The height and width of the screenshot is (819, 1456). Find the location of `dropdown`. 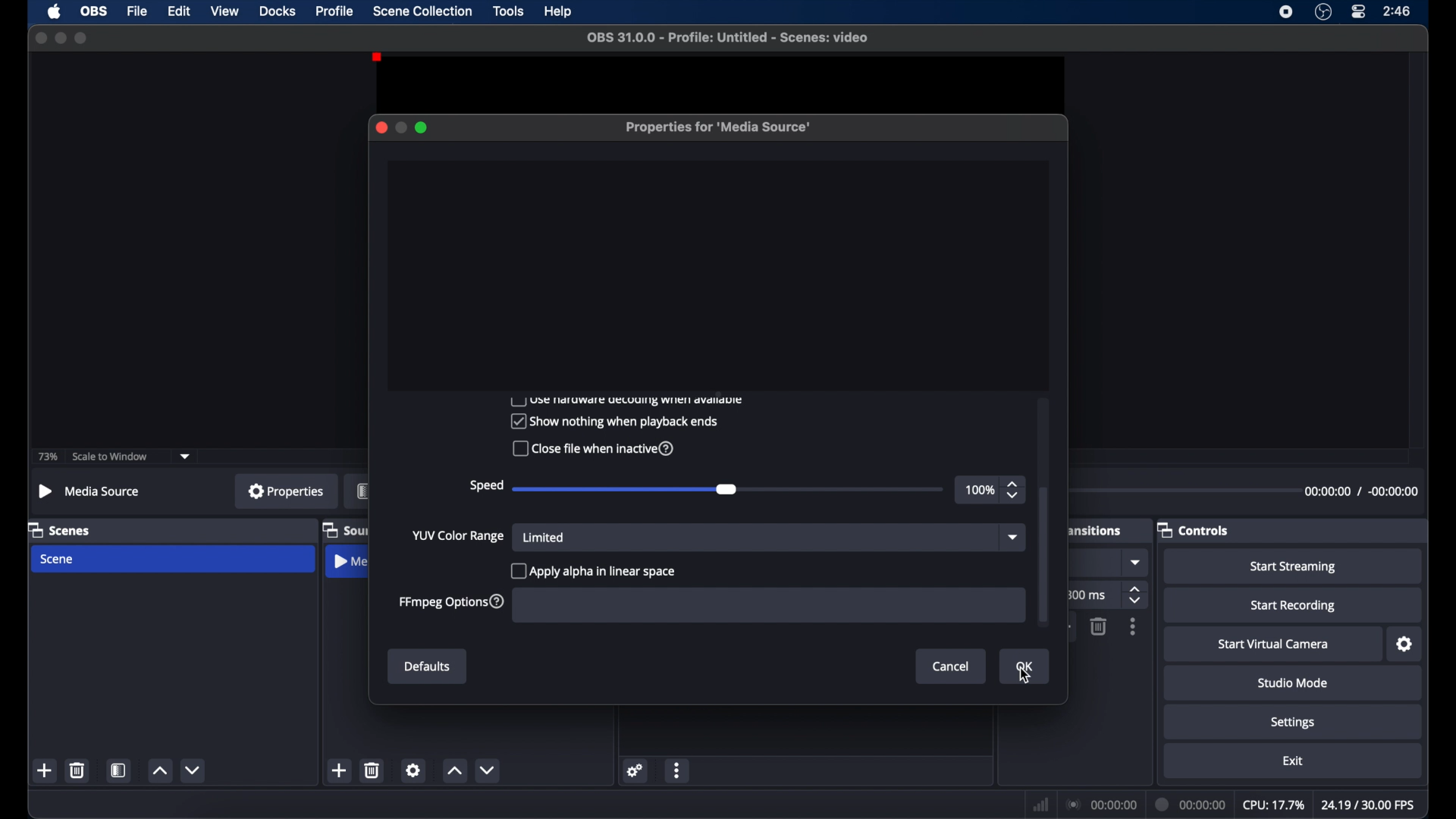

dropdown is located at coordinates (1012, 536).